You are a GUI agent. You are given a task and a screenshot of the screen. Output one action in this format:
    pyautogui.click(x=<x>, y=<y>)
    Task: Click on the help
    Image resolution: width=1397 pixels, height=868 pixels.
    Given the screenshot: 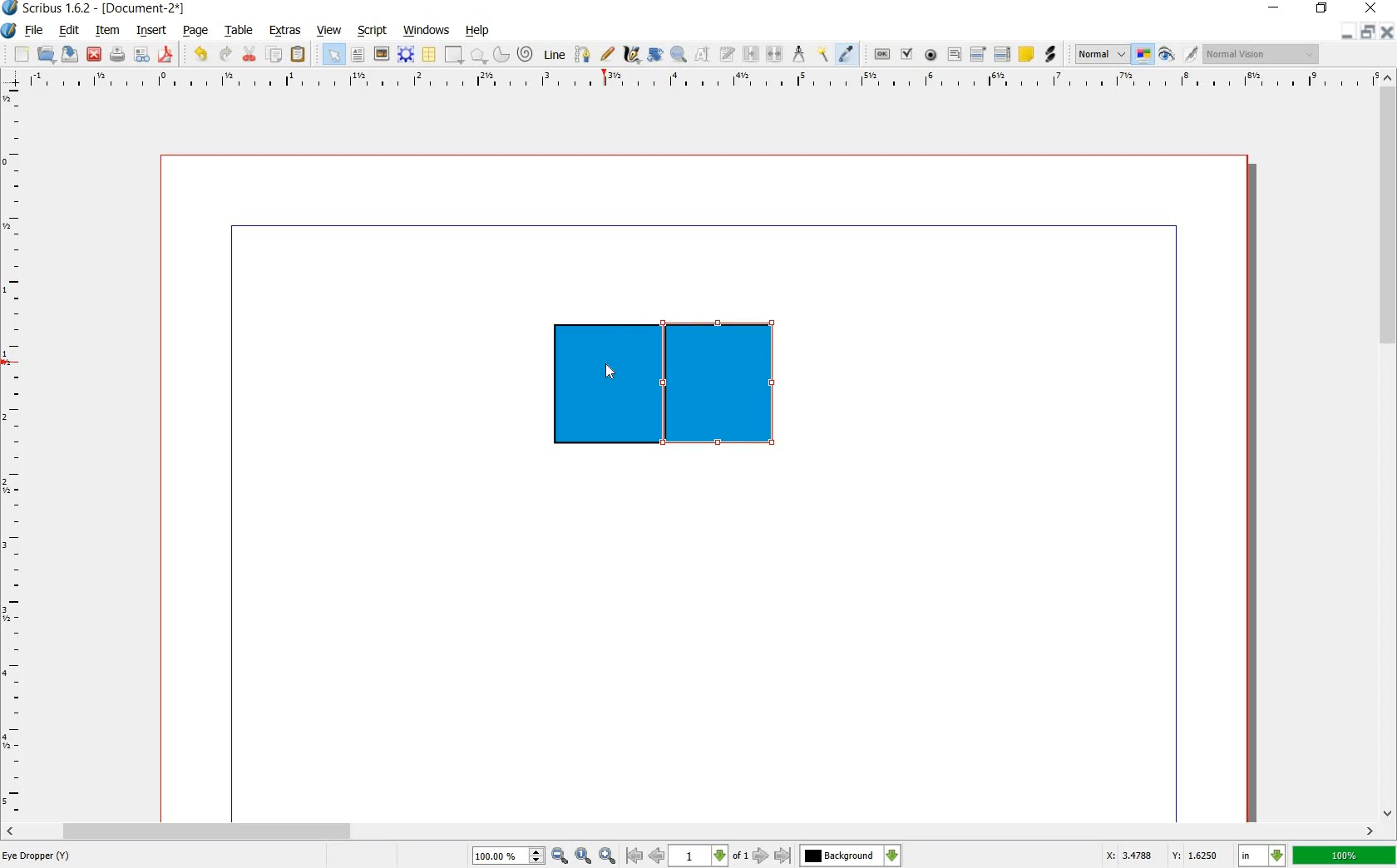 What is the action you would take?
    pyautogui.click(x=475, y=31)
    